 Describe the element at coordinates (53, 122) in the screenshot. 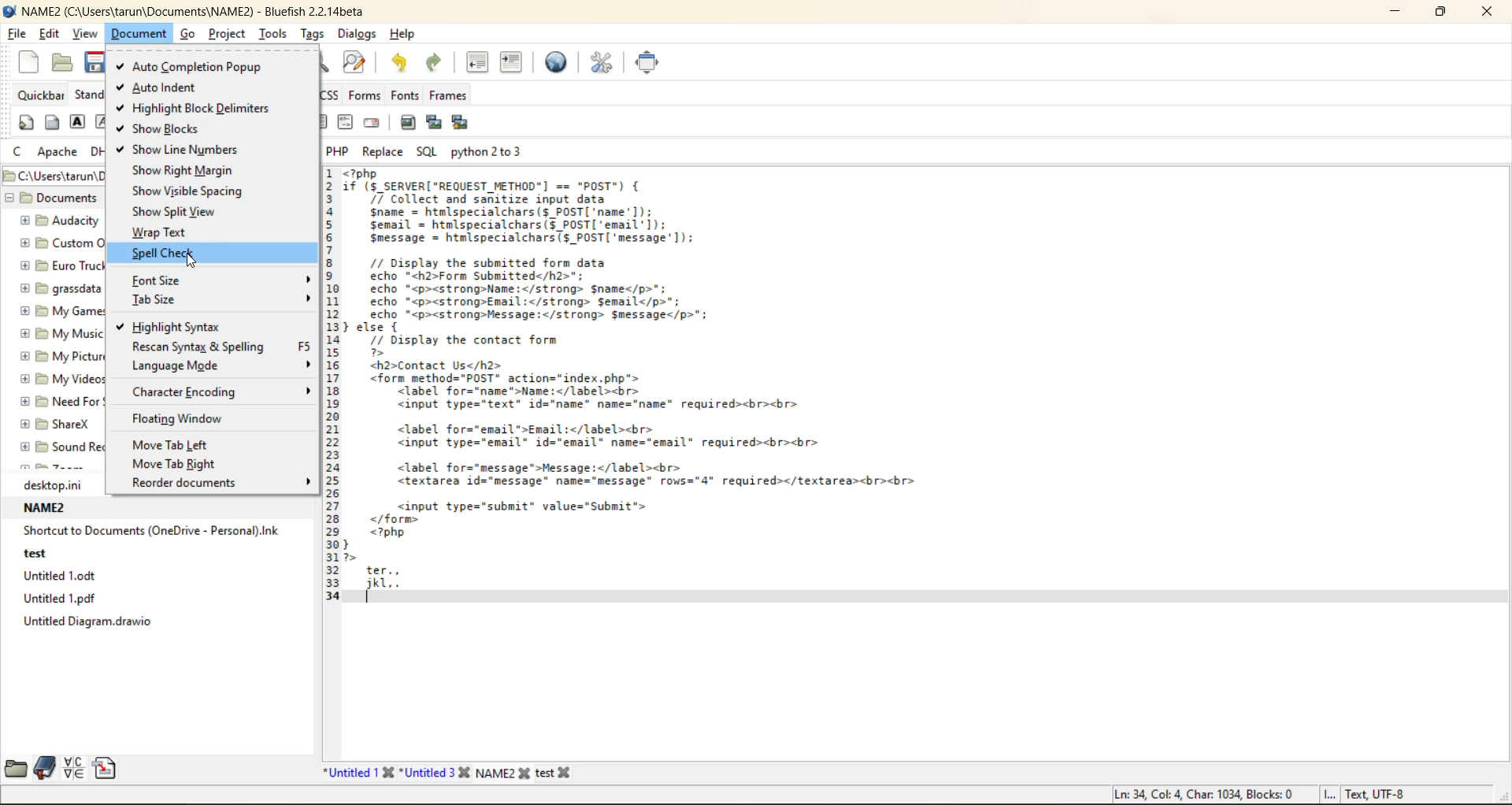

I see `body` at that location.